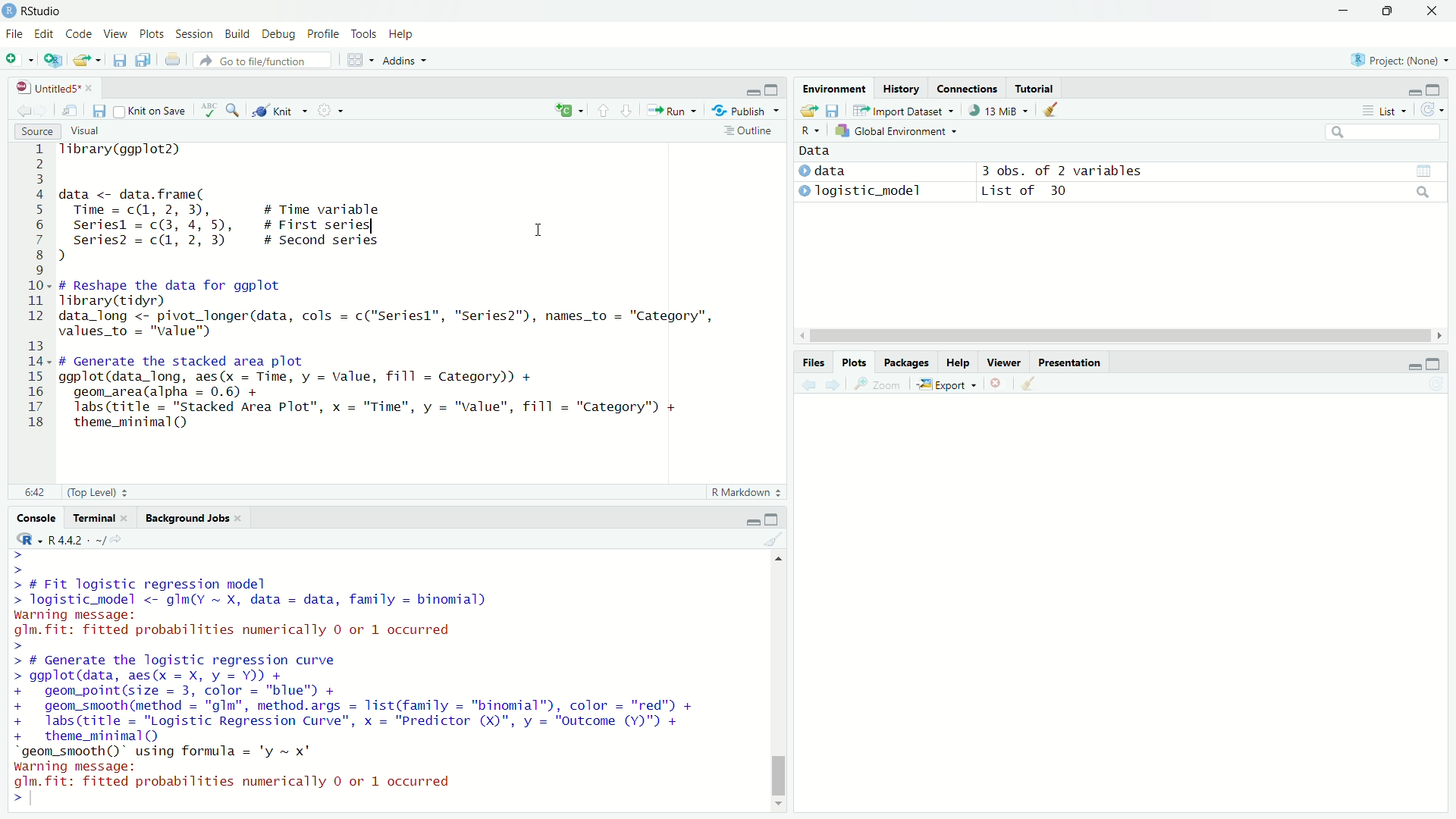 The width and height of the screenshot is (1456, 819). Describe the element at coordinates (775, 87) in the screenshot. I see `maximise` at that location.